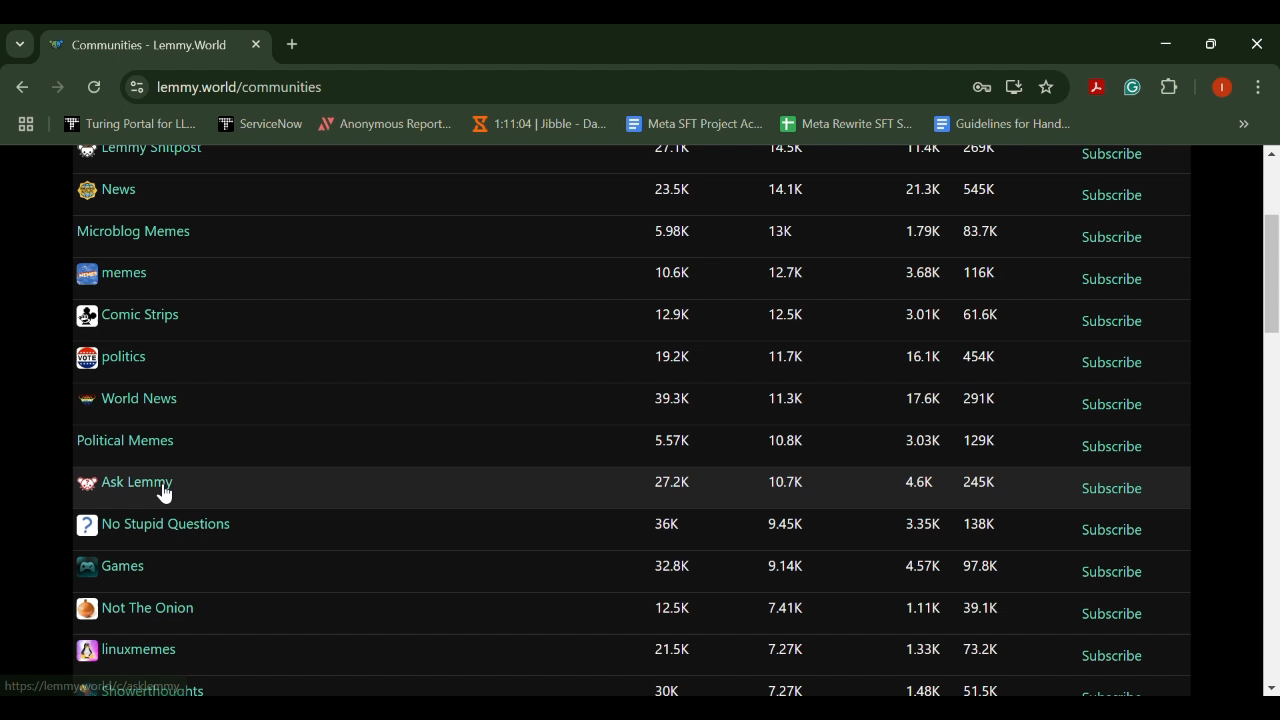  What do you see at coordinates (982, 399) in the screenshot?
I see `291K` at bounding box center [982, 399].